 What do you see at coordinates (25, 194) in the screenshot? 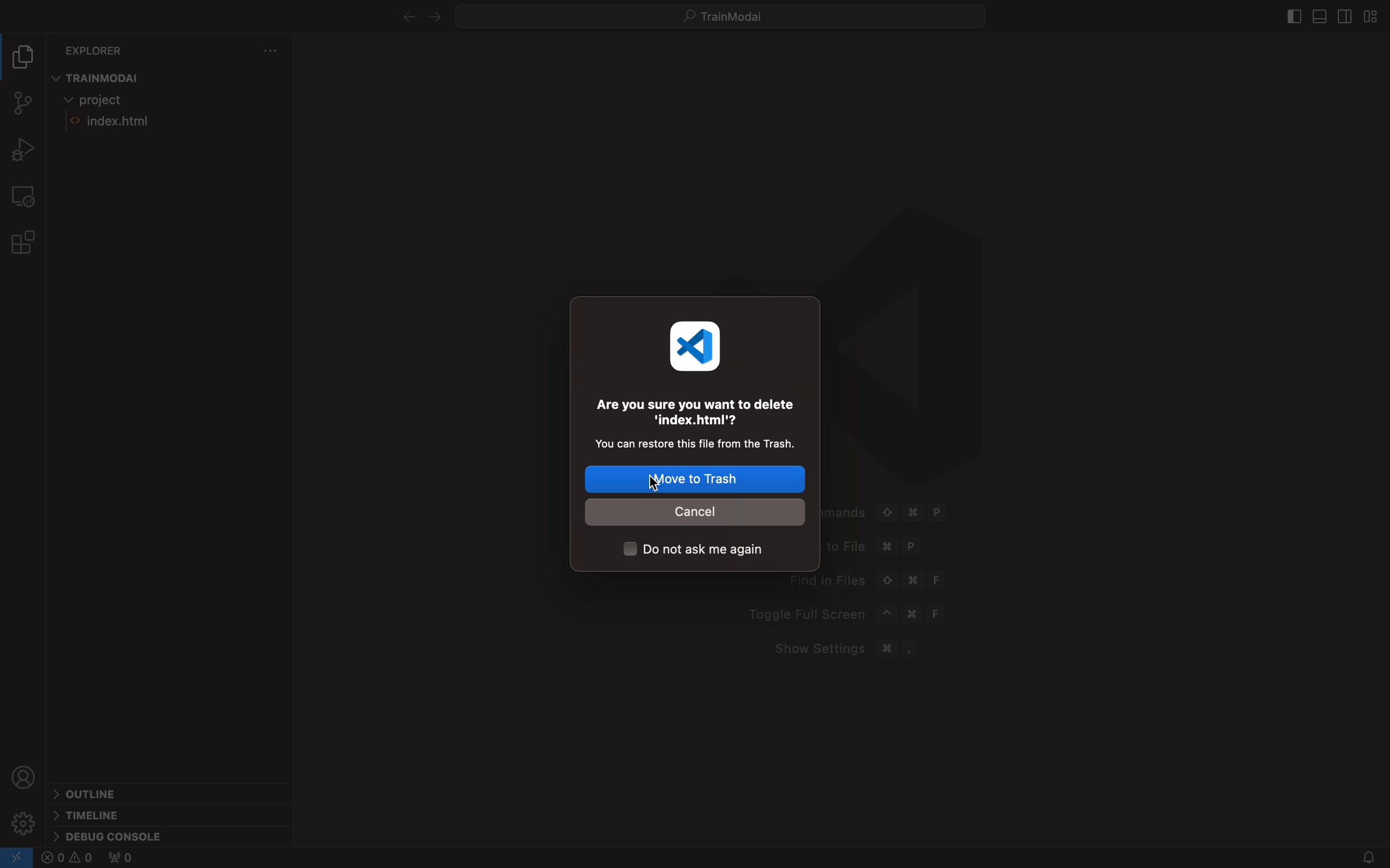
I see `remote explore` at bounding box center [25, 194].